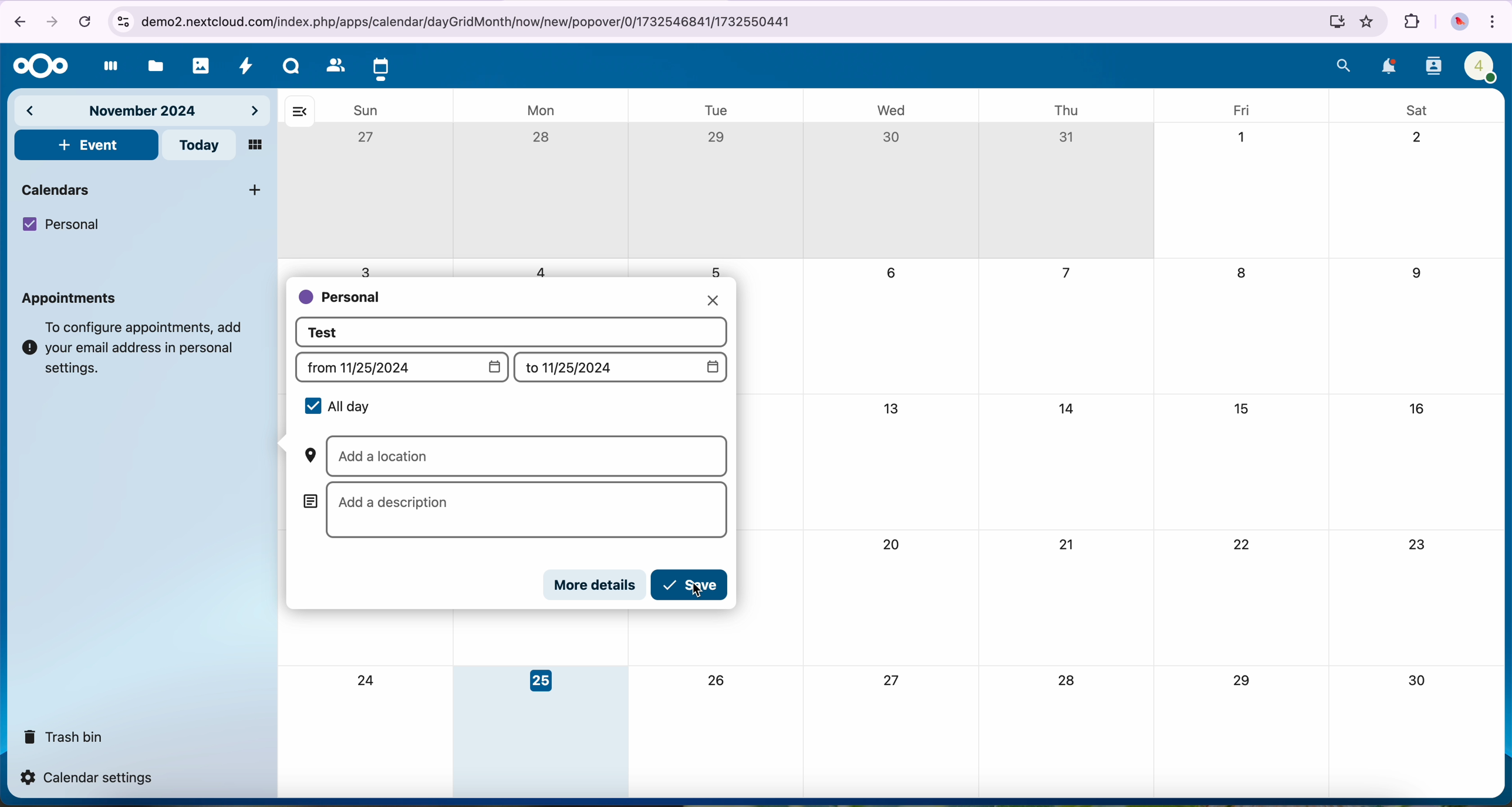 The width and height of the screenshot is (1512, 807). Describe the element at coordinates (153, 66) in the screenshot. I see `files` at that location.